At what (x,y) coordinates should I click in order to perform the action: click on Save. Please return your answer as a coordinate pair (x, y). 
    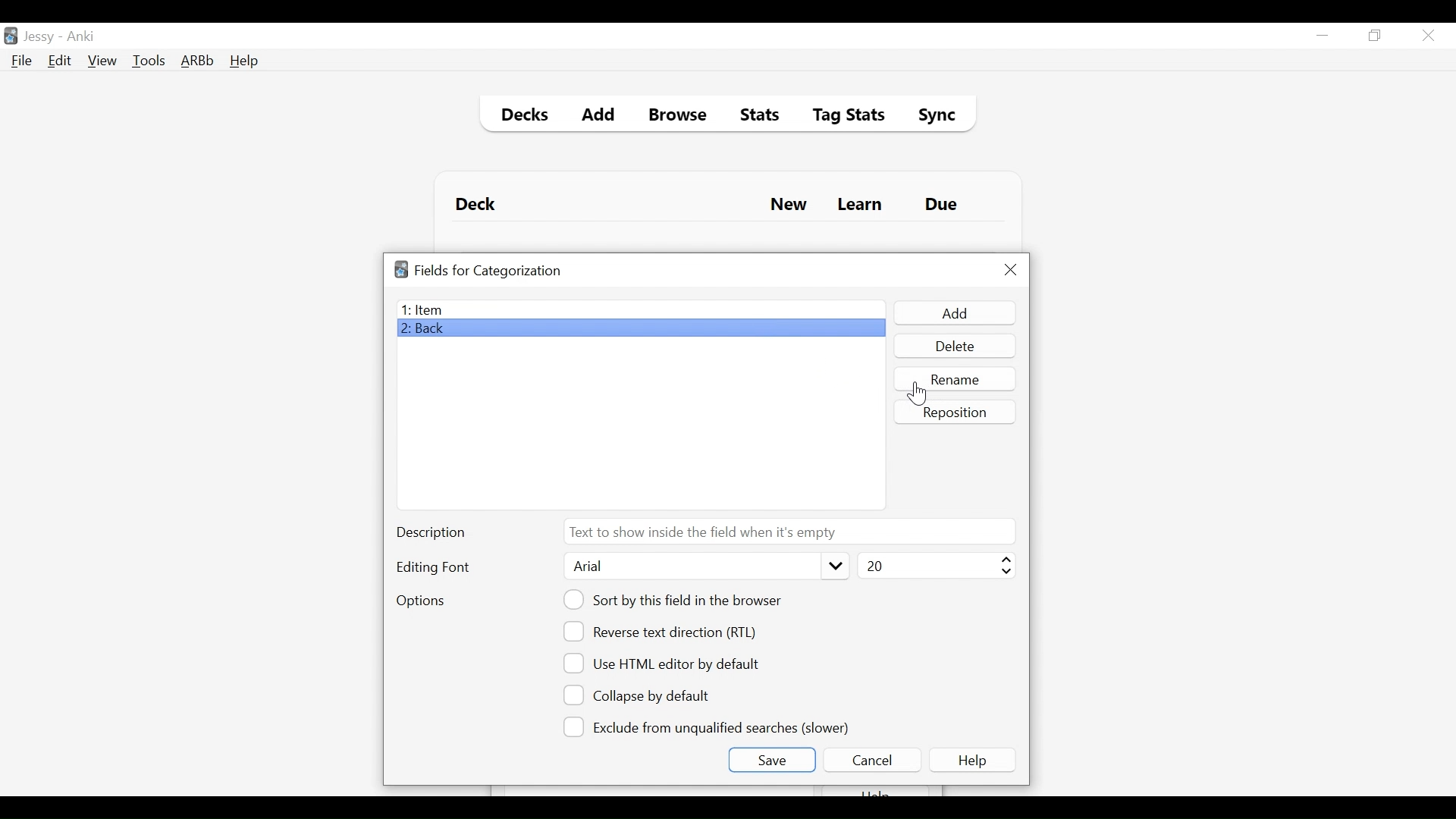
    Looking at the image, I should click on (771, 760).